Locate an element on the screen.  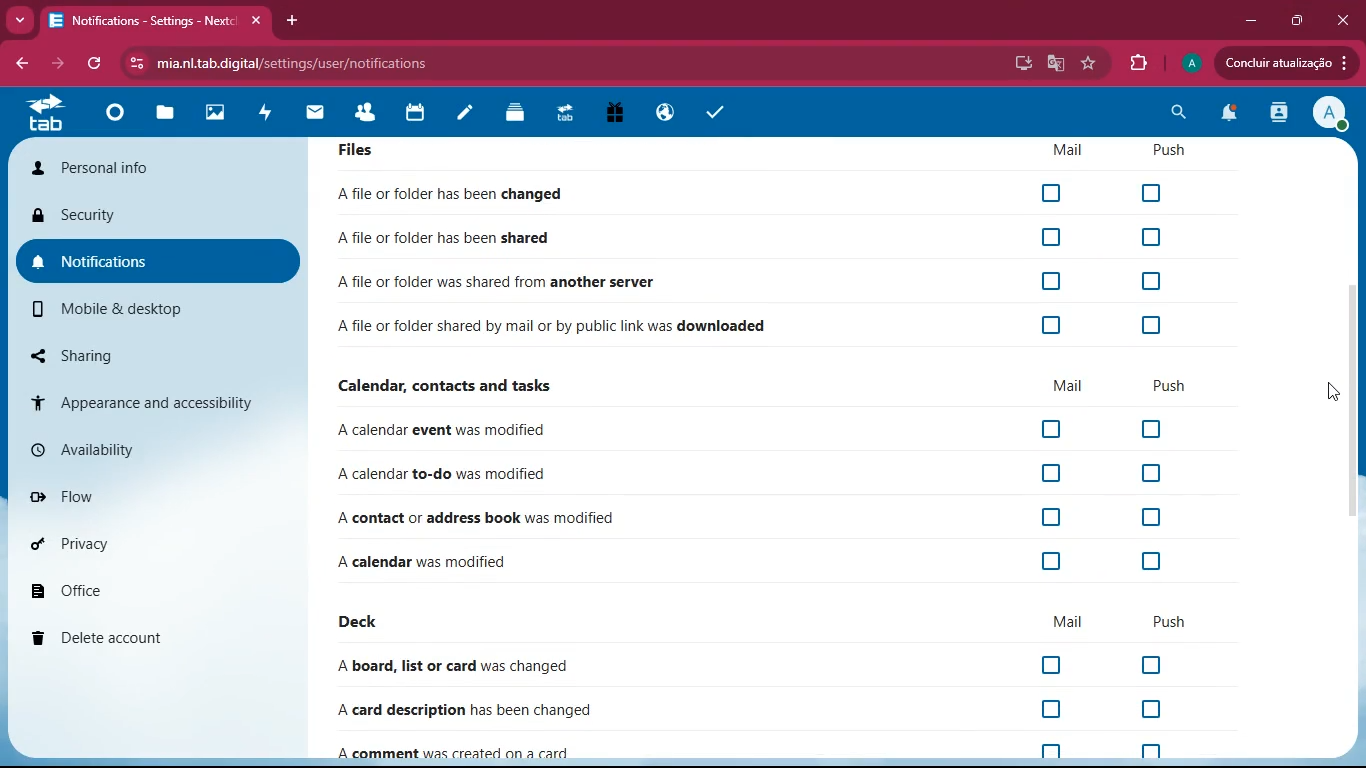
contact is located at coordinates (540, 513).